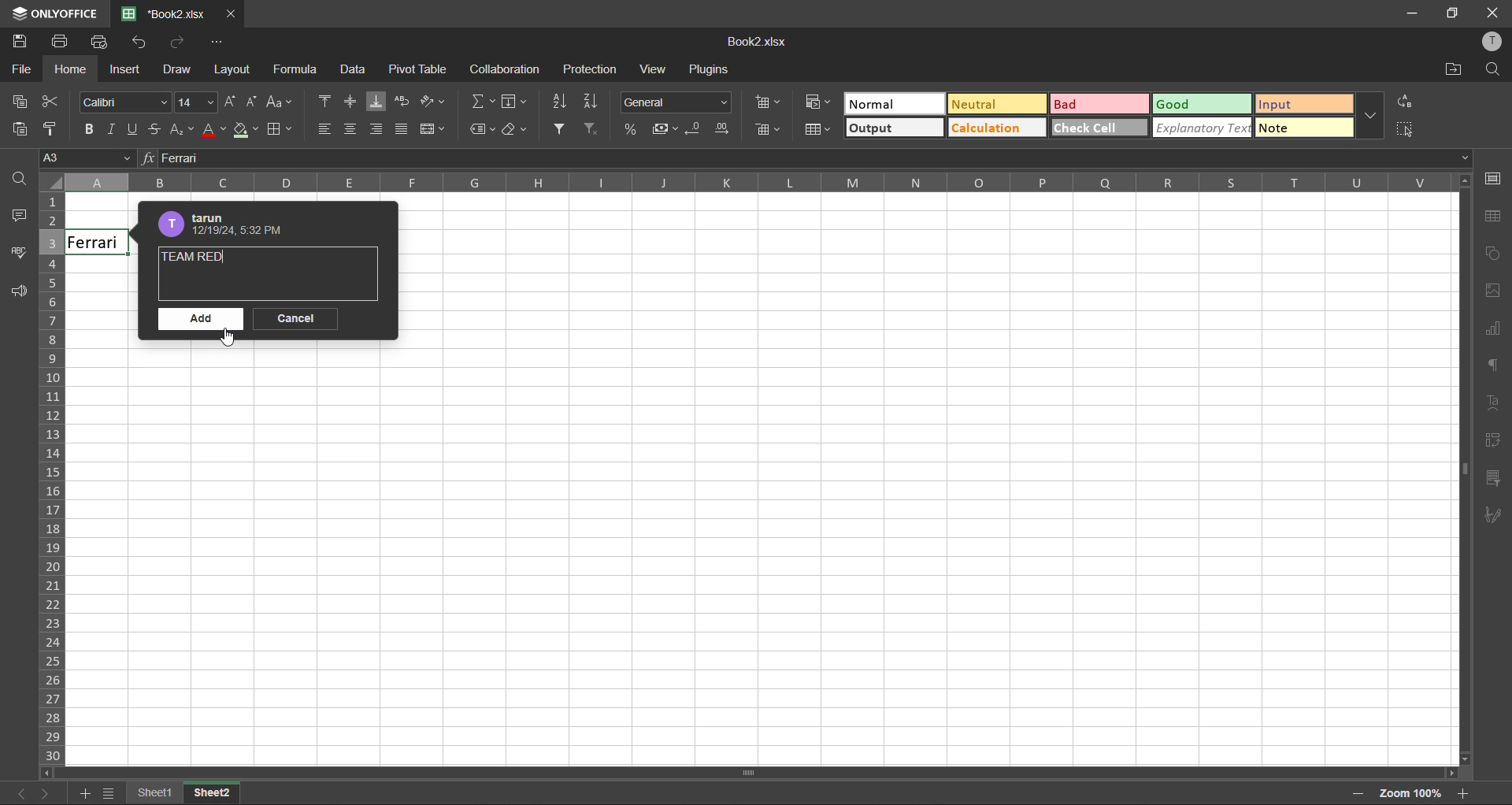  I want to click on sheet list, so click(107, 794).